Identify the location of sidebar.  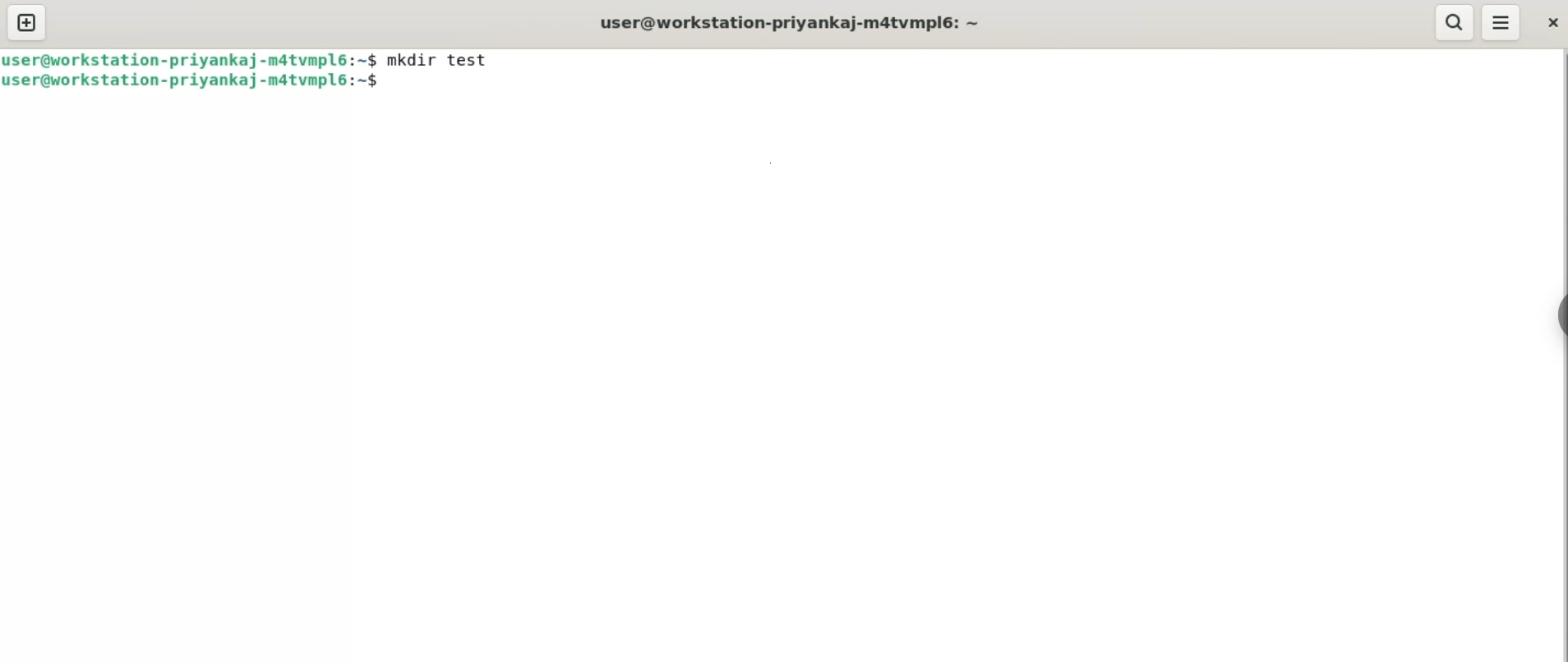
(1560, 317).